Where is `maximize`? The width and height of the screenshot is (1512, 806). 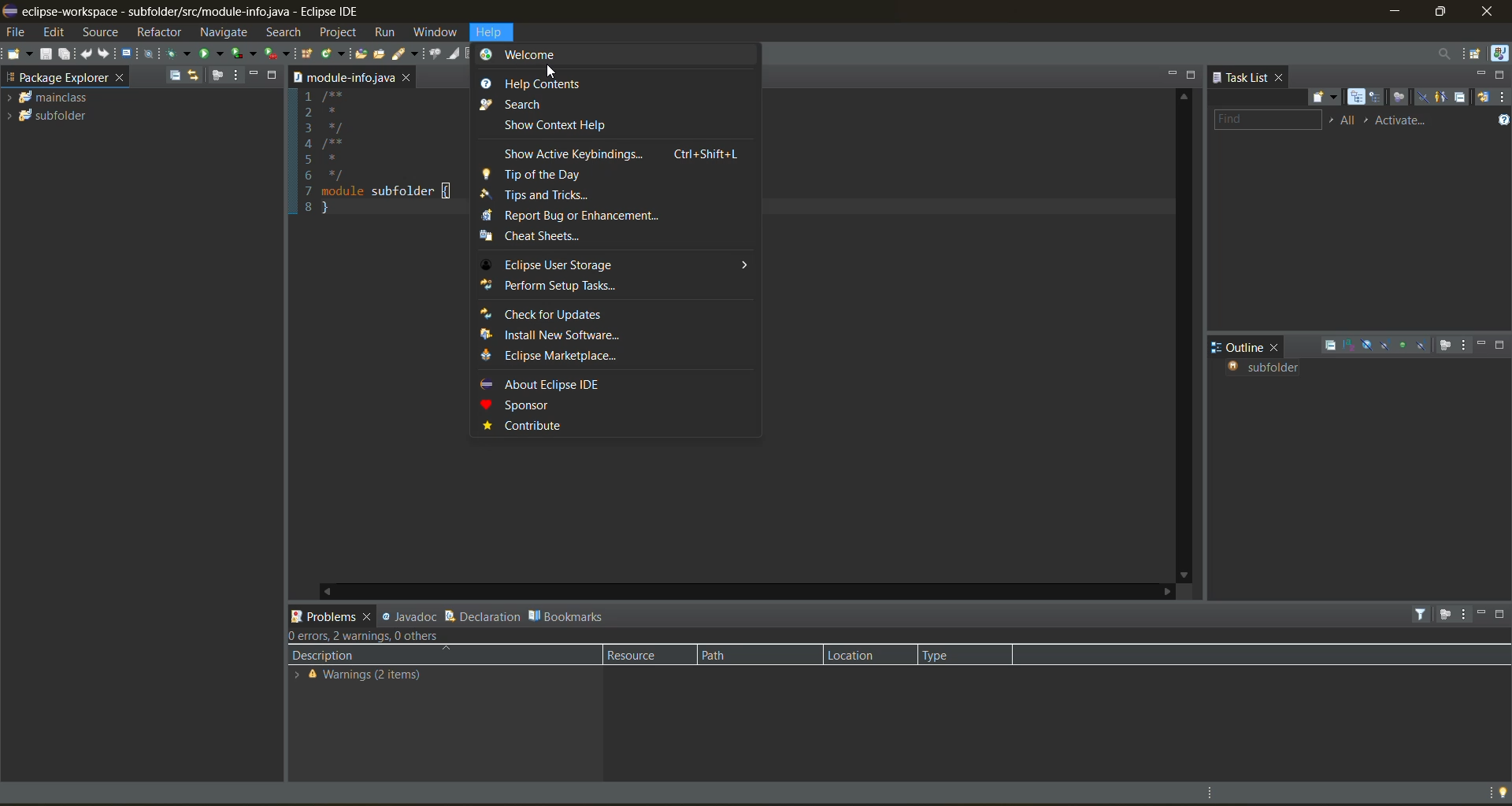
maximize is located at coordinates (1443, 9).